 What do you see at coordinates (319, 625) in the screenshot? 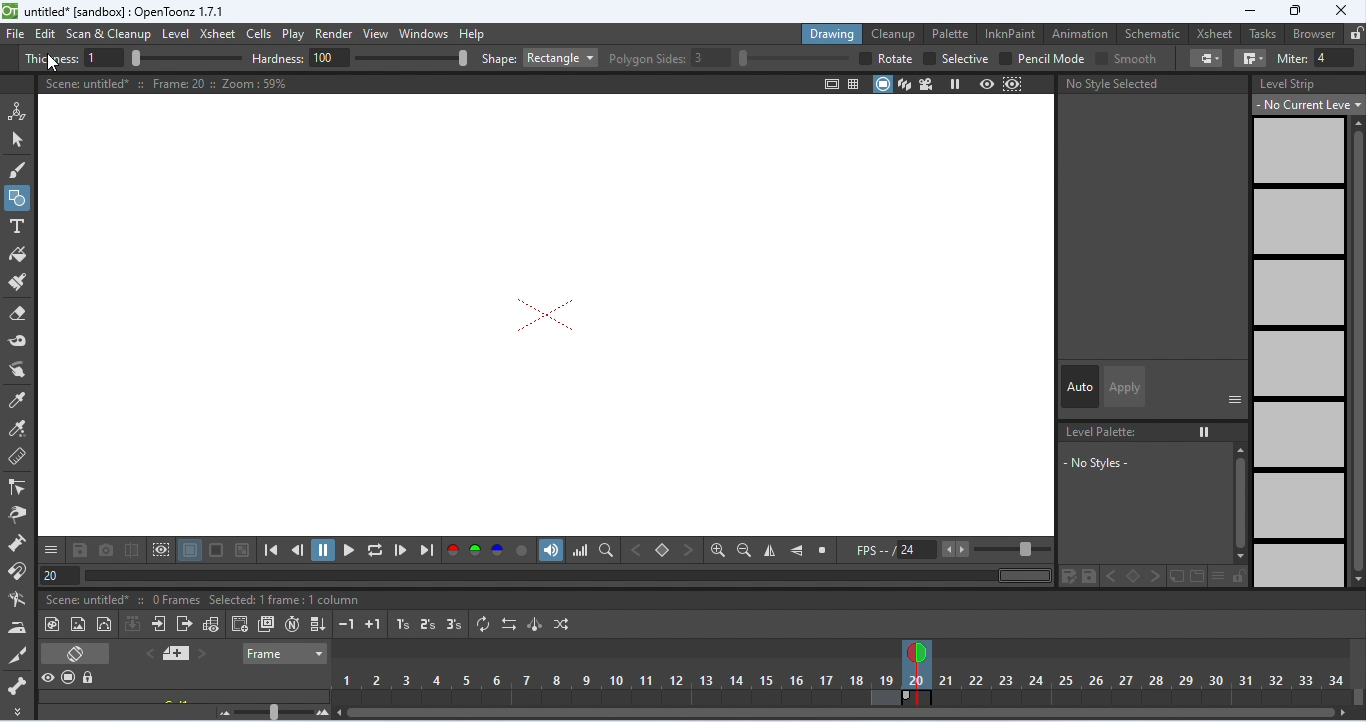
I see `fill in empty cells` at bounding box center [319, 625].